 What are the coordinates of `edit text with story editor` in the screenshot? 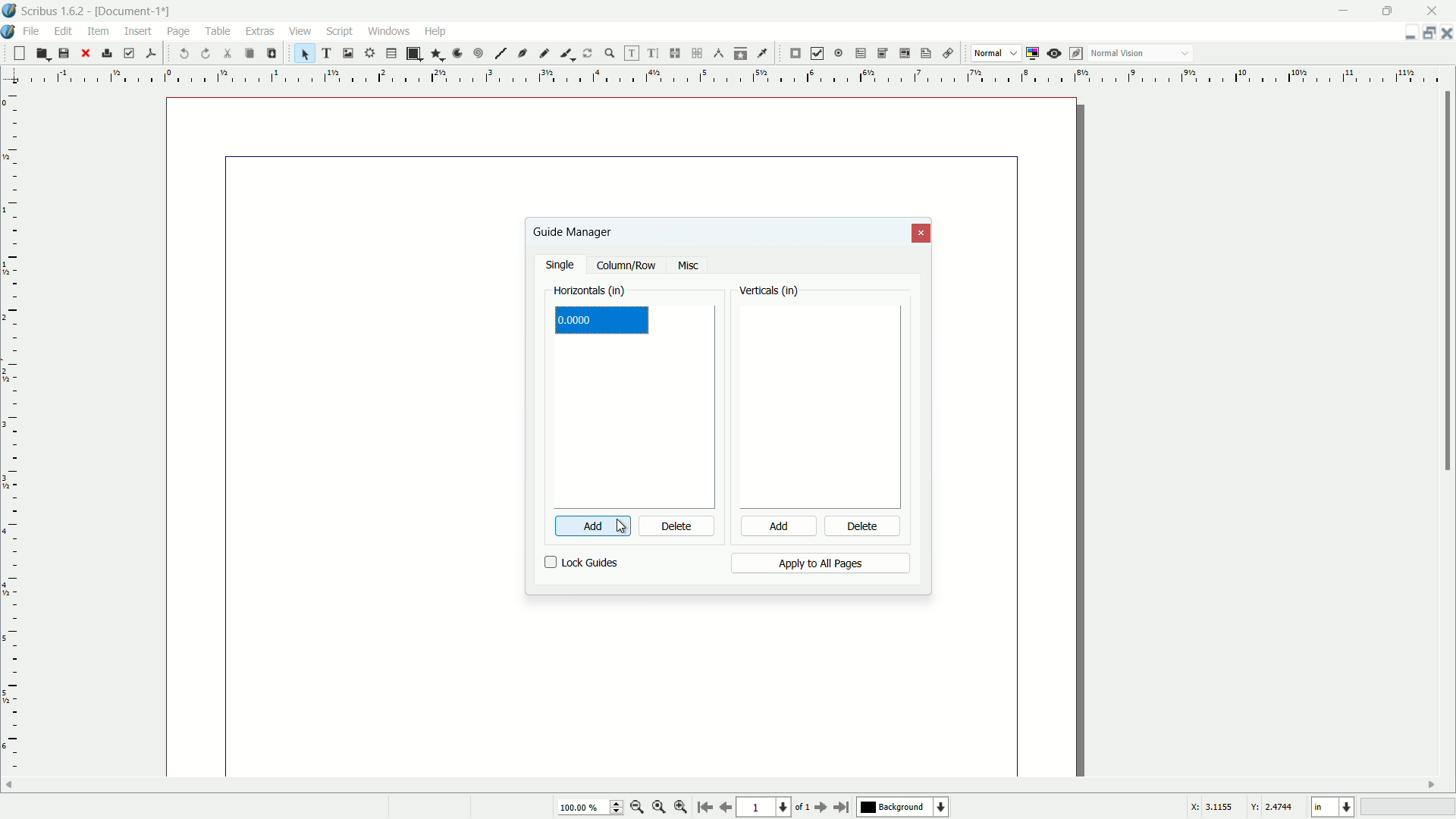 It's located at (654, 54).